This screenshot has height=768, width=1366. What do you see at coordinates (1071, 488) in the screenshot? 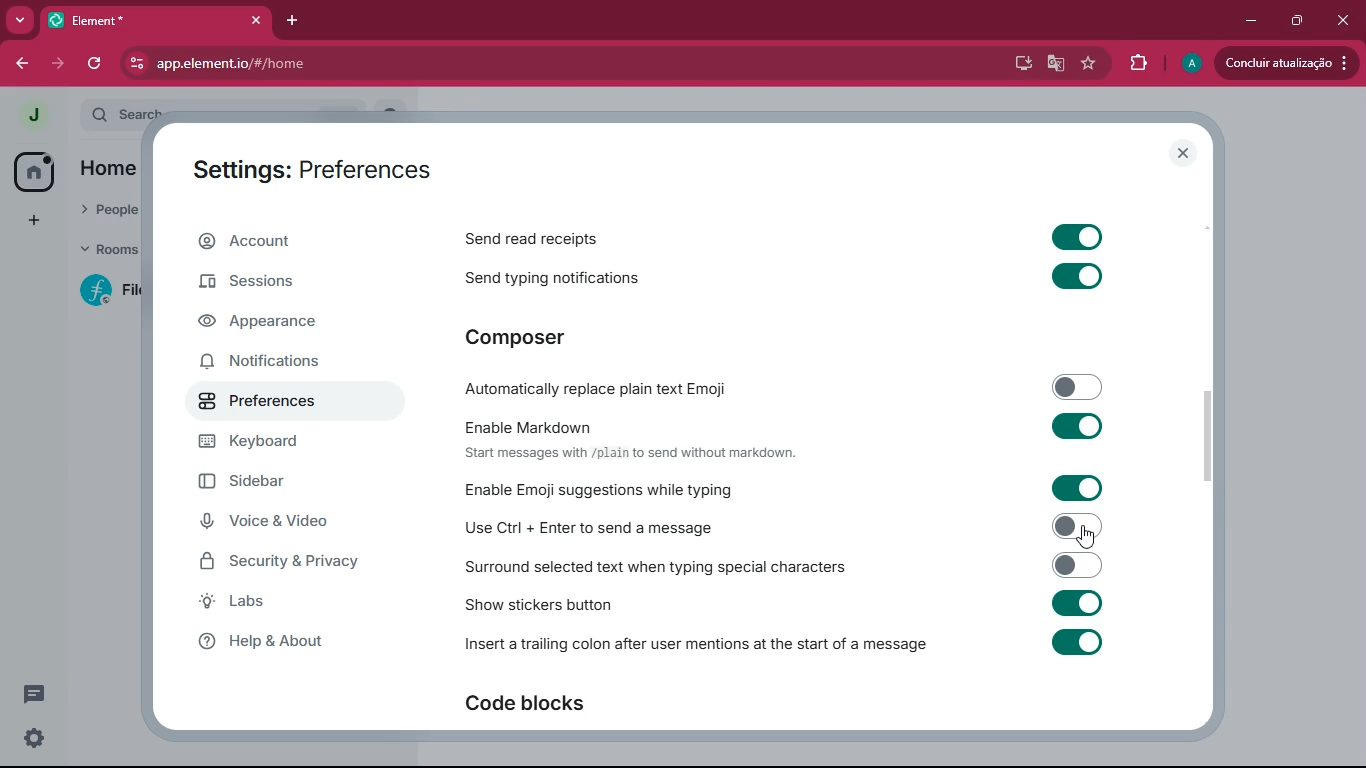
I see `toggle on or off` at bounding box center [1071, 488].